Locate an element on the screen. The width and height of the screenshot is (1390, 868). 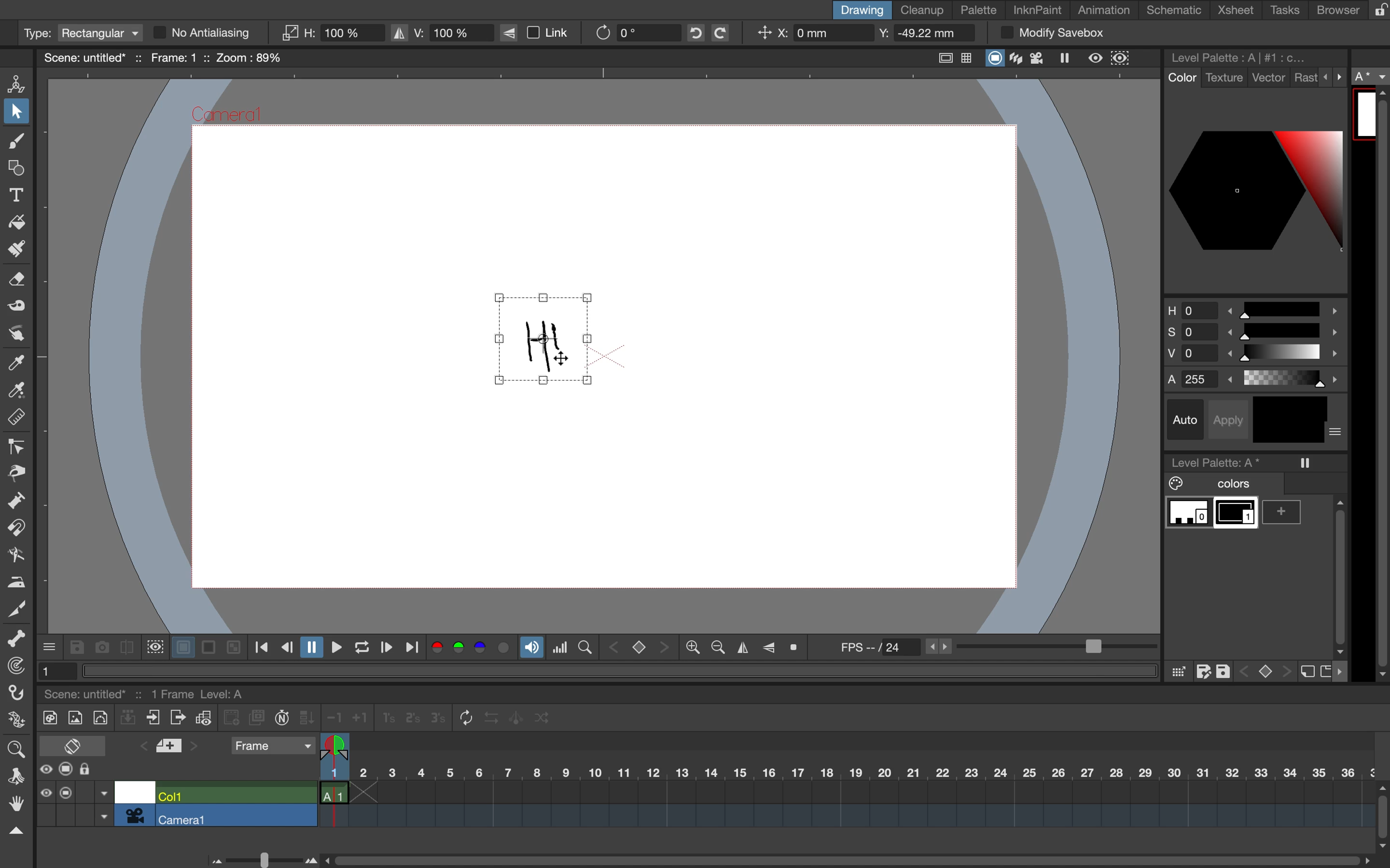
camera stand visibility toggle all is located at coordinates (65, 792).